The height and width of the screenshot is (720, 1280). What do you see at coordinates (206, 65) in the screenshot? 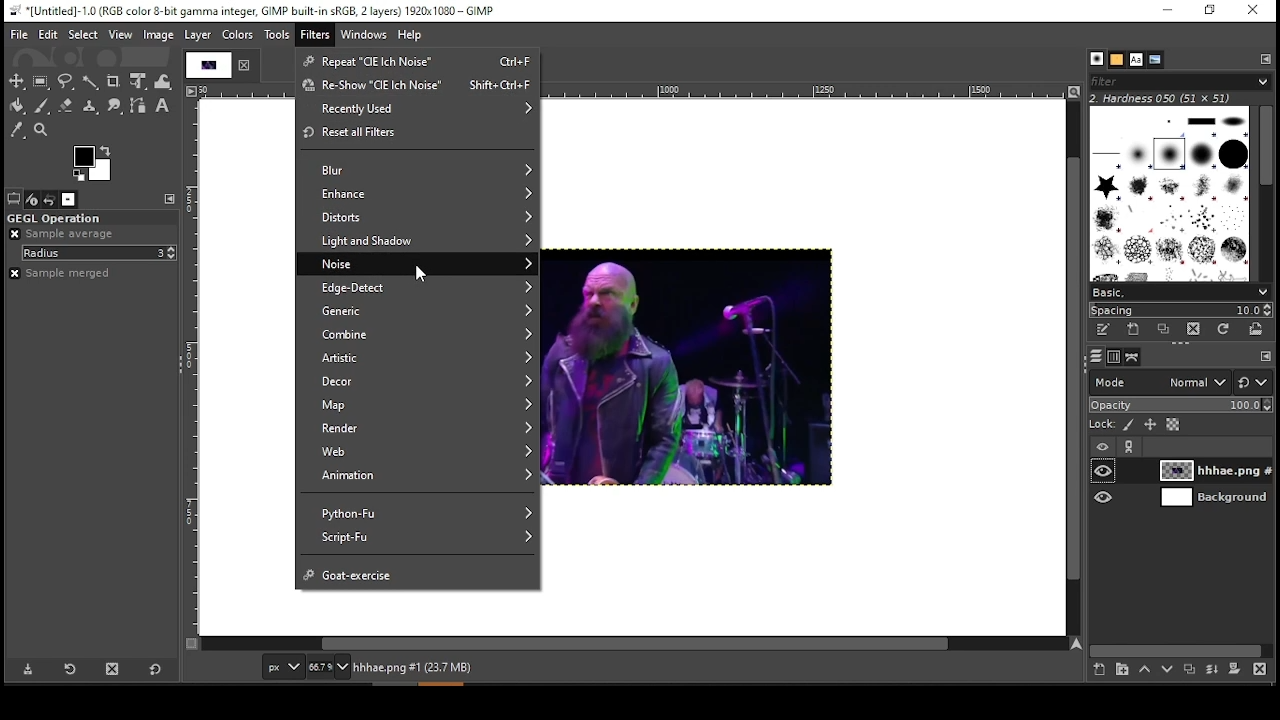
I see `tab` at bounding box center [206, 65].